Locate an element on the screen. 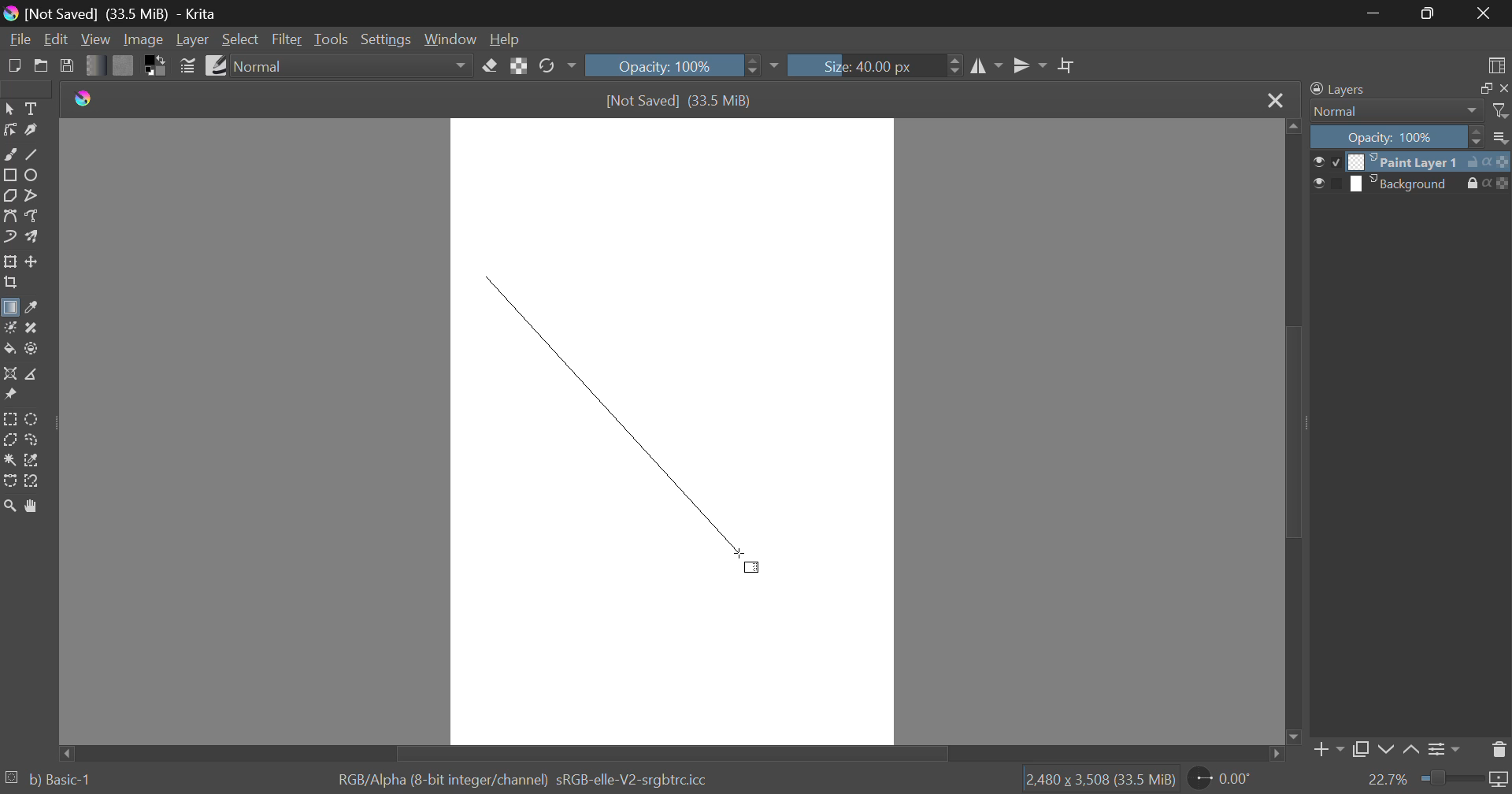 This screenshot has height=794, width=1512. 22.7% is located at coordinates (1437, 781).